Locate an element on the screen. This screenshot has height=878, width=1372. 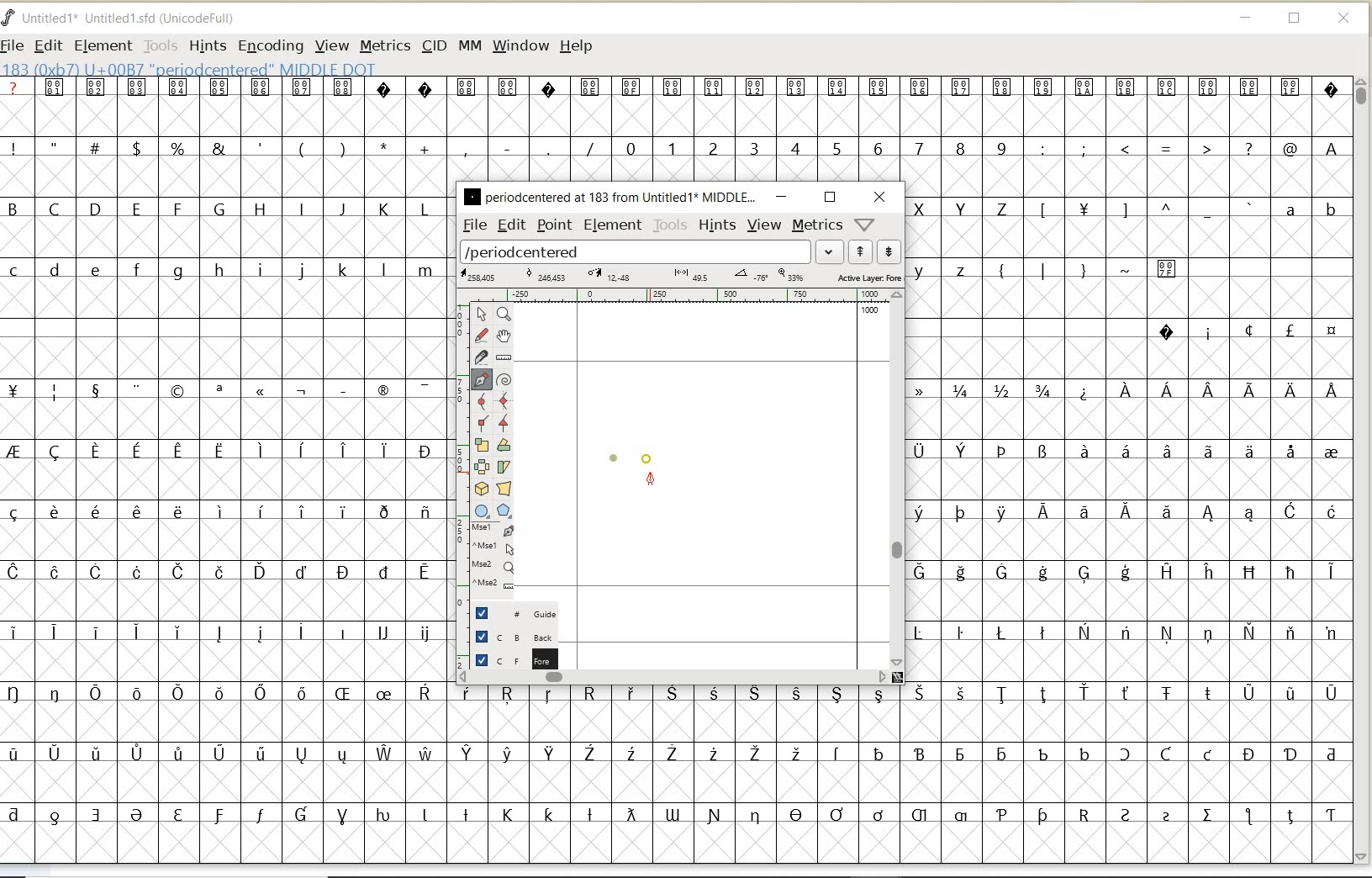
MM is located at coordinates (470, 46).